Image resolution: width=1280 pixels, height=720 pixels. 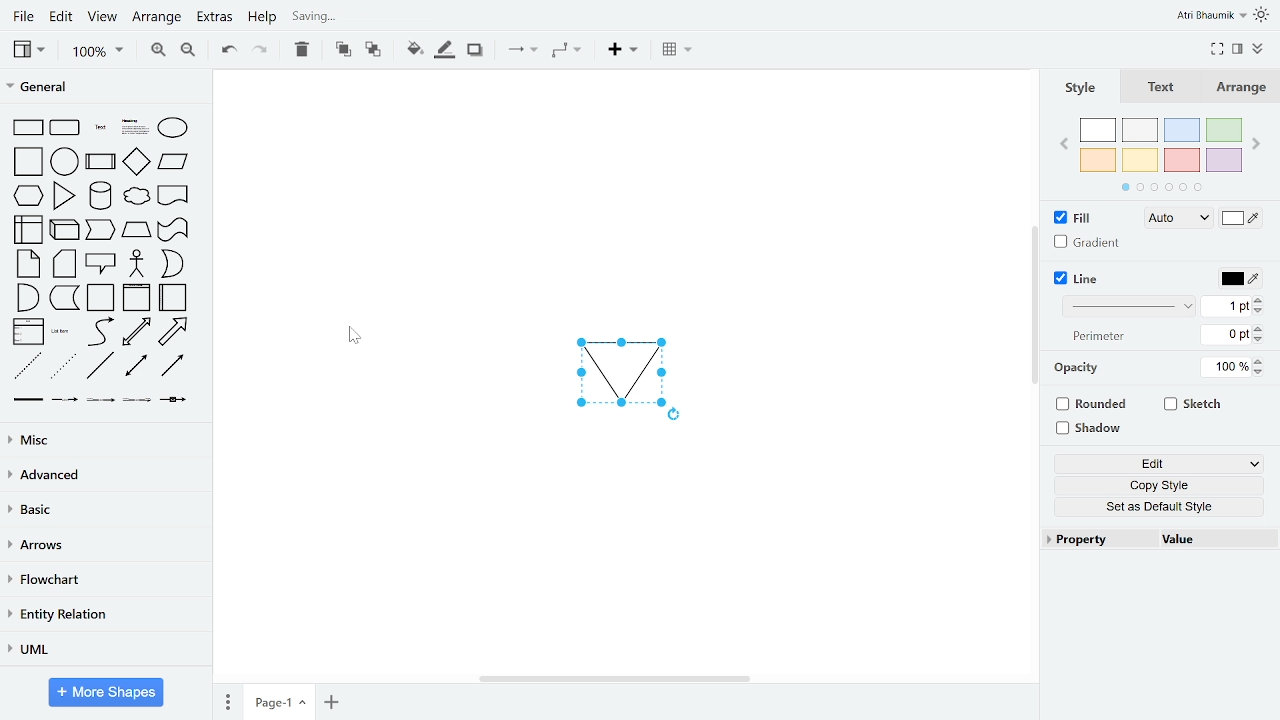 What do you see at coordinates (102, 231) in the screenshot?
I see `step` at bounding box center [102, 231].